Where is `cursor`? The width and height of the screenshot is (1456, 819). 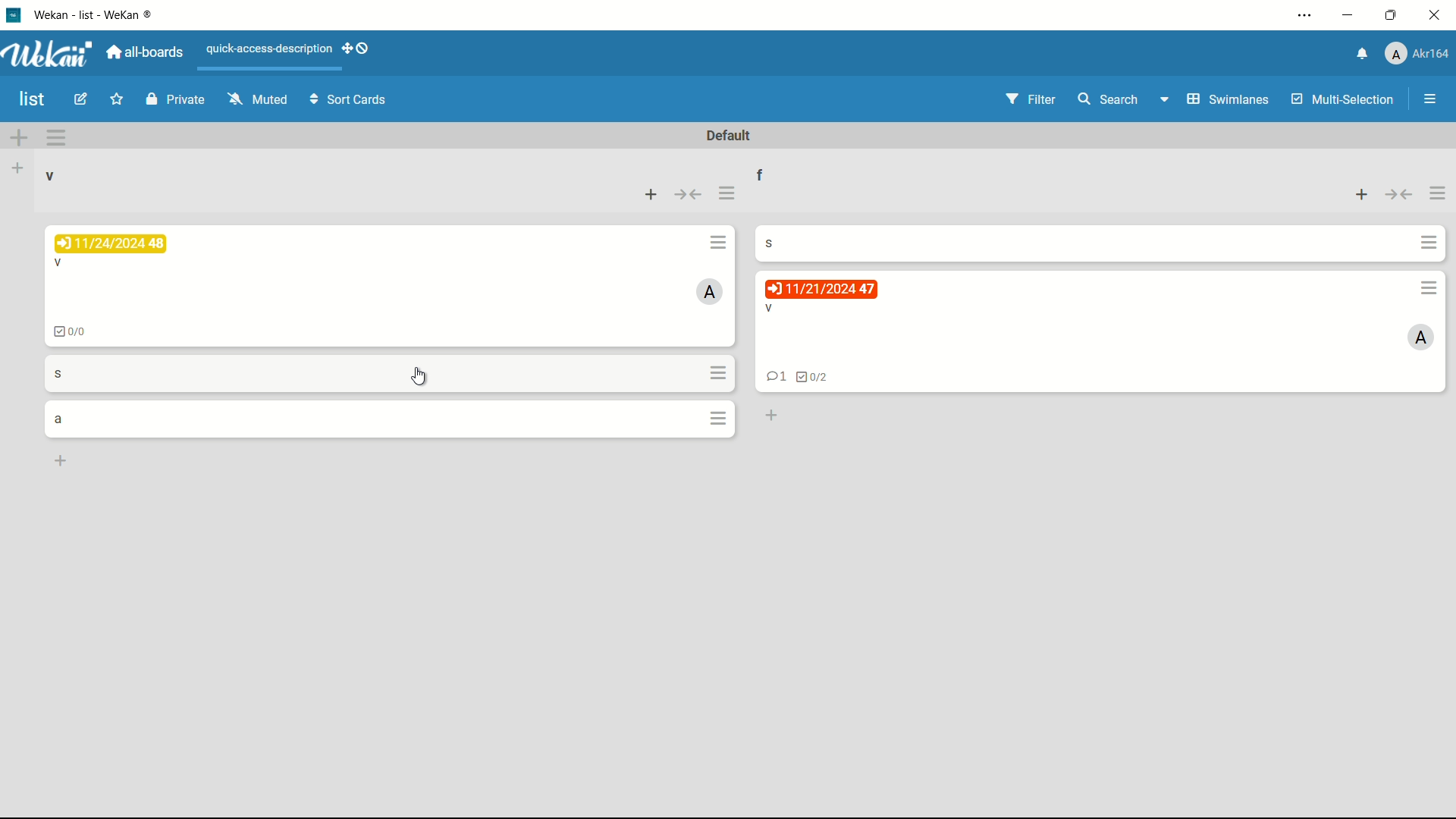 cursor is located at coordinates (419, 378).